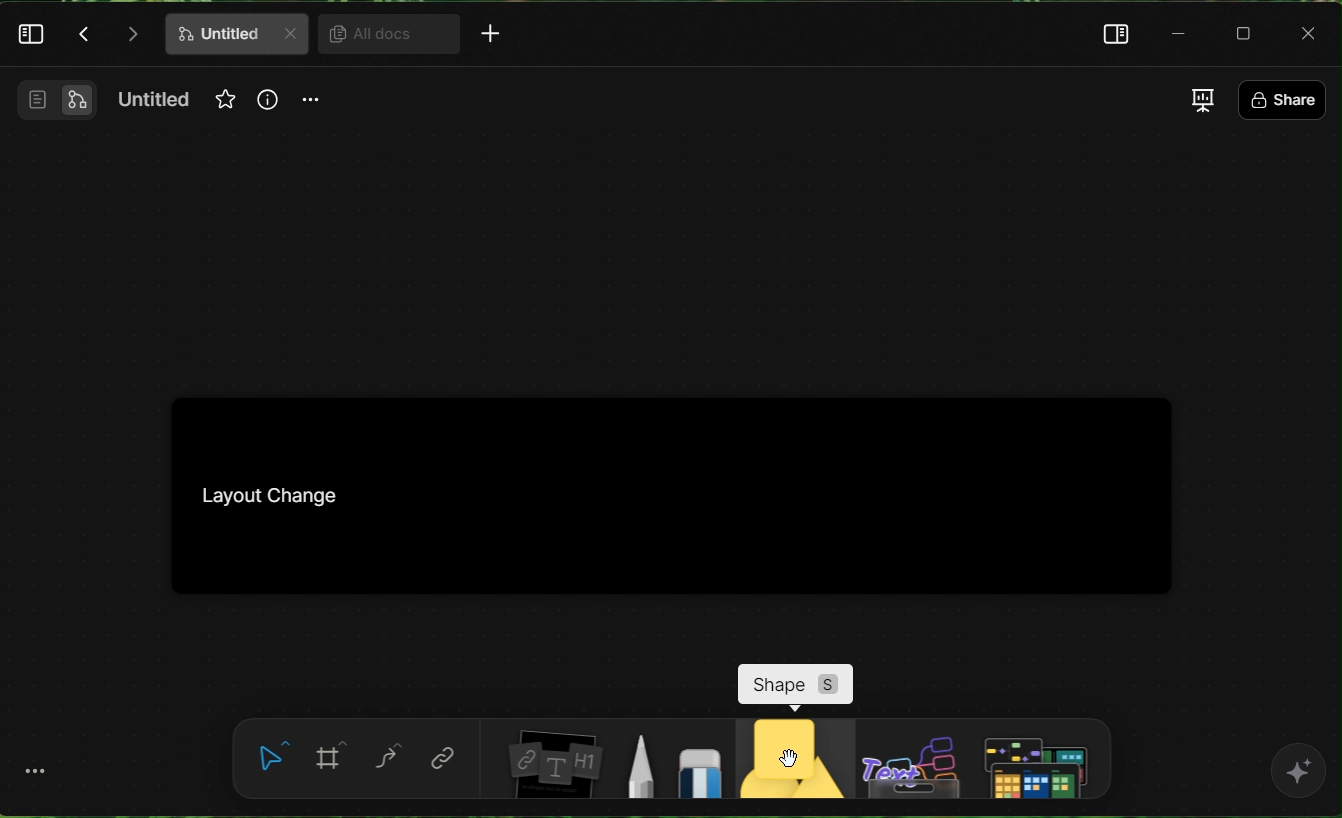 This screenshot has width=1342, height=818. Describe the element at coordinates (271, 764) in the screenshot. I see `select` at that location.